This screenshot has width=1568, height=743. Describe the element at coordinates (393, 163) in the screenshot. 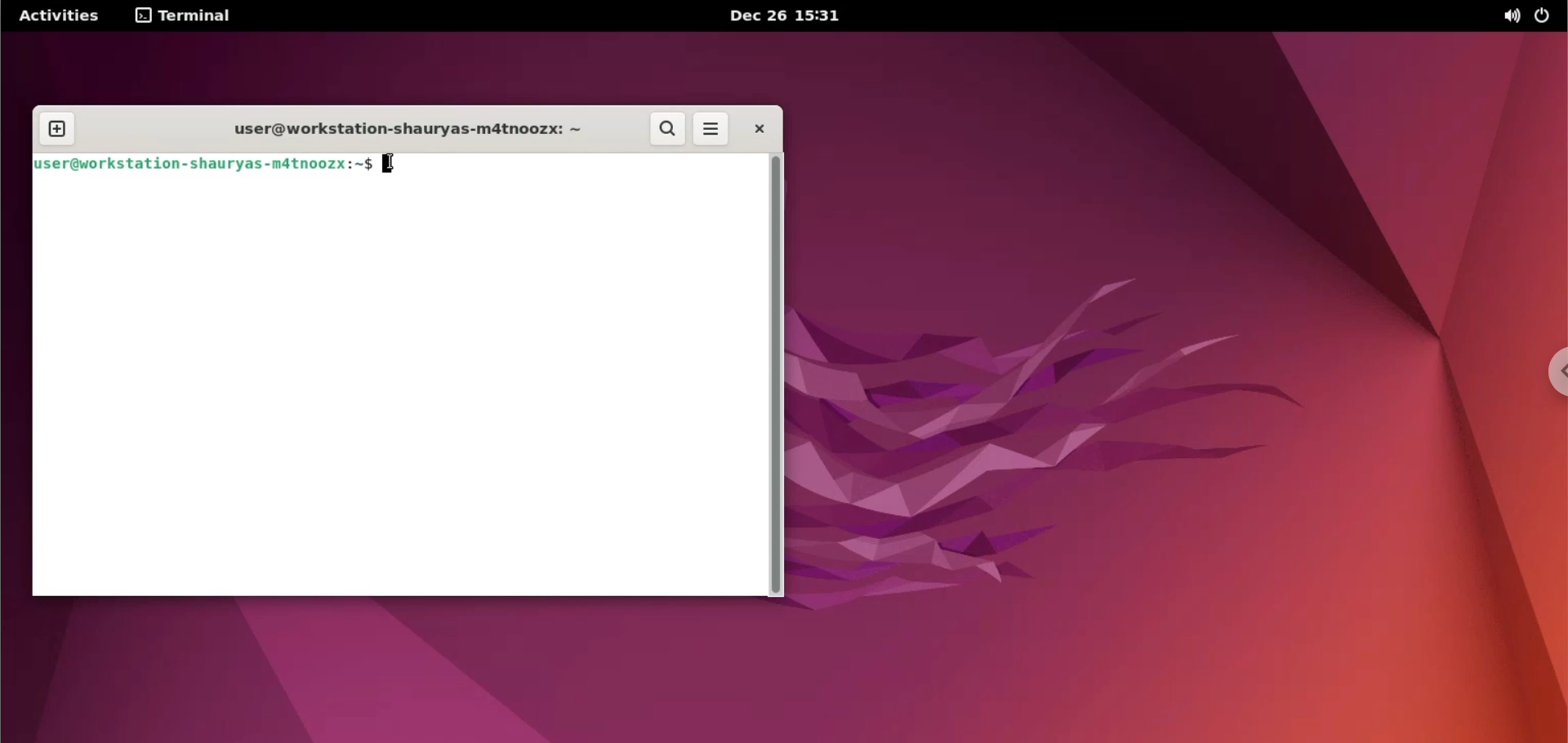

I see `cursor` at that location.